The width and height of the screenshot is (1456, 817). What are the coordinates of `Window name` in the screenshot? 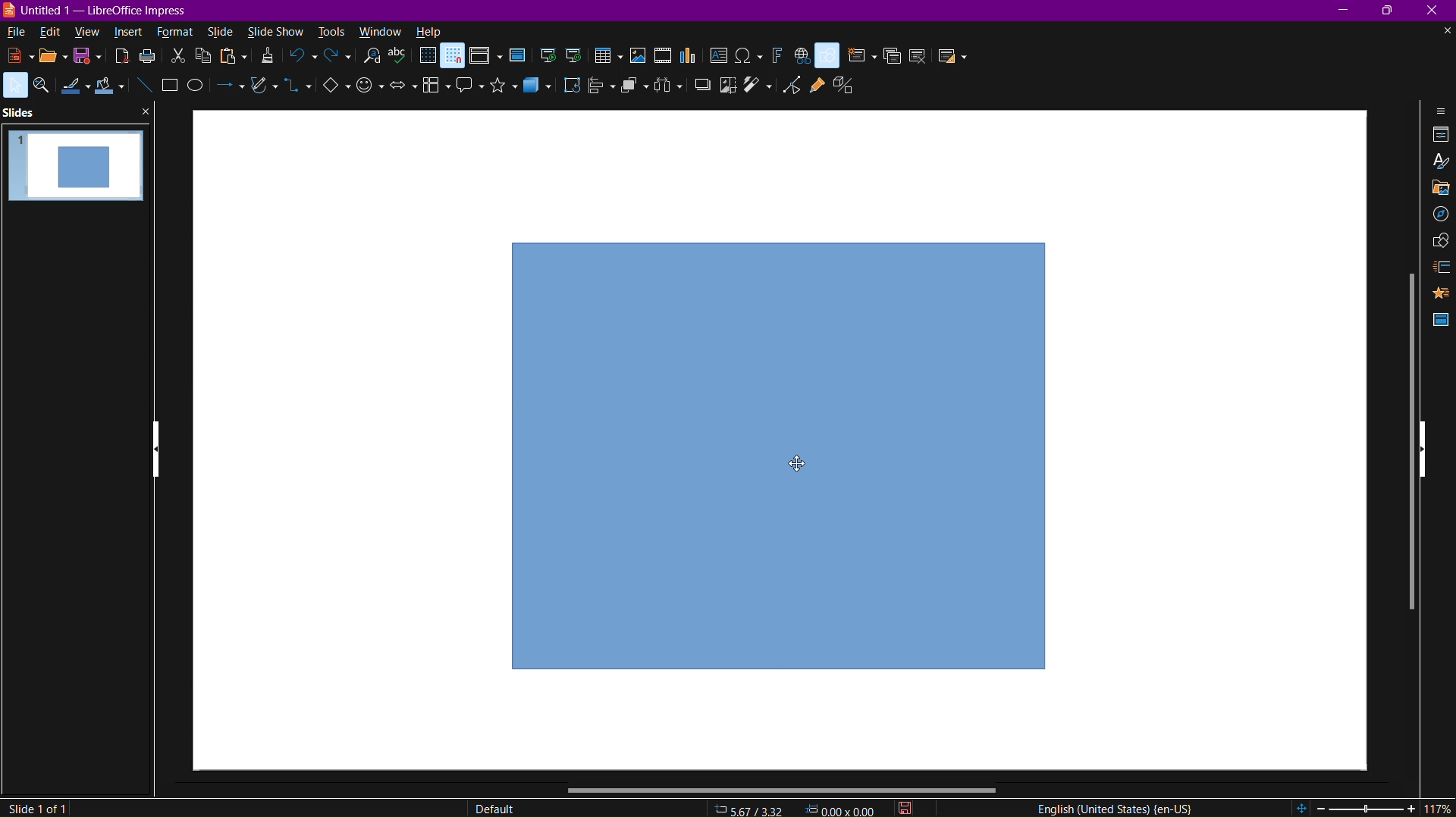 It's located at (97, 11).